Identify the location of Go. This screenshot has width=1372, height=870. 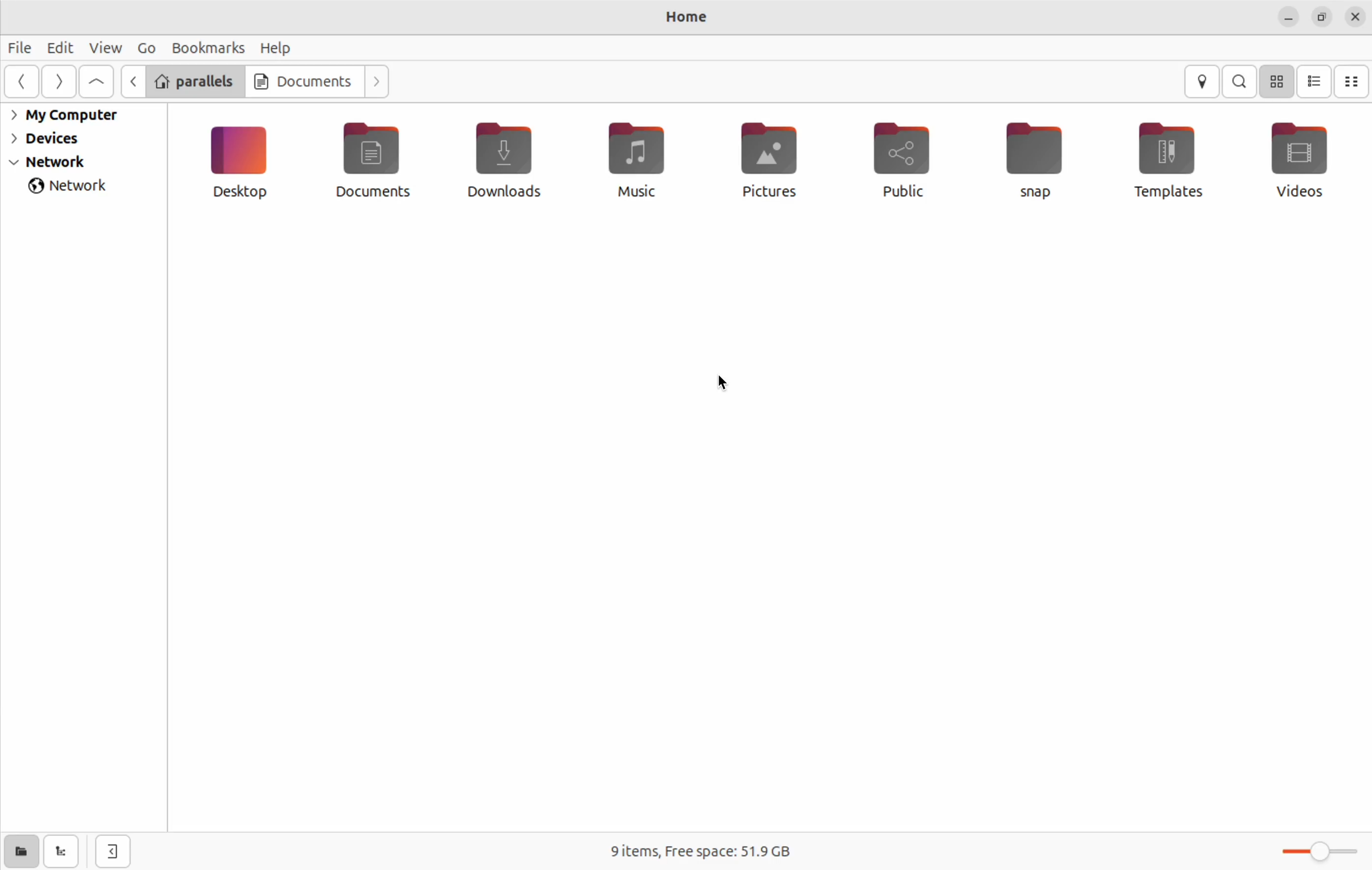
(144, 48).